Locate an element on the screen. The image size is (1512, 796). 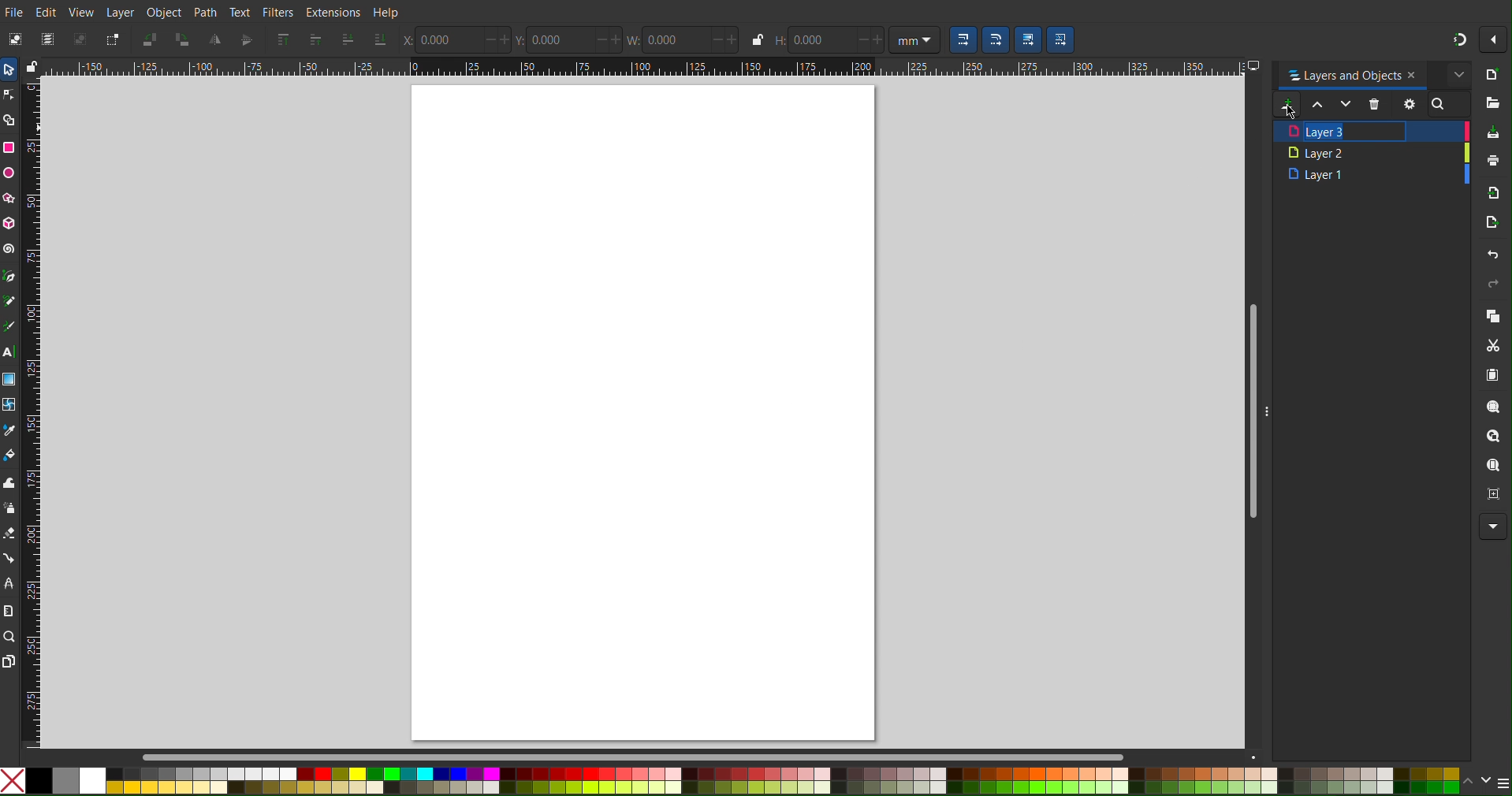
Redo is located at coordinates (1492, 287).